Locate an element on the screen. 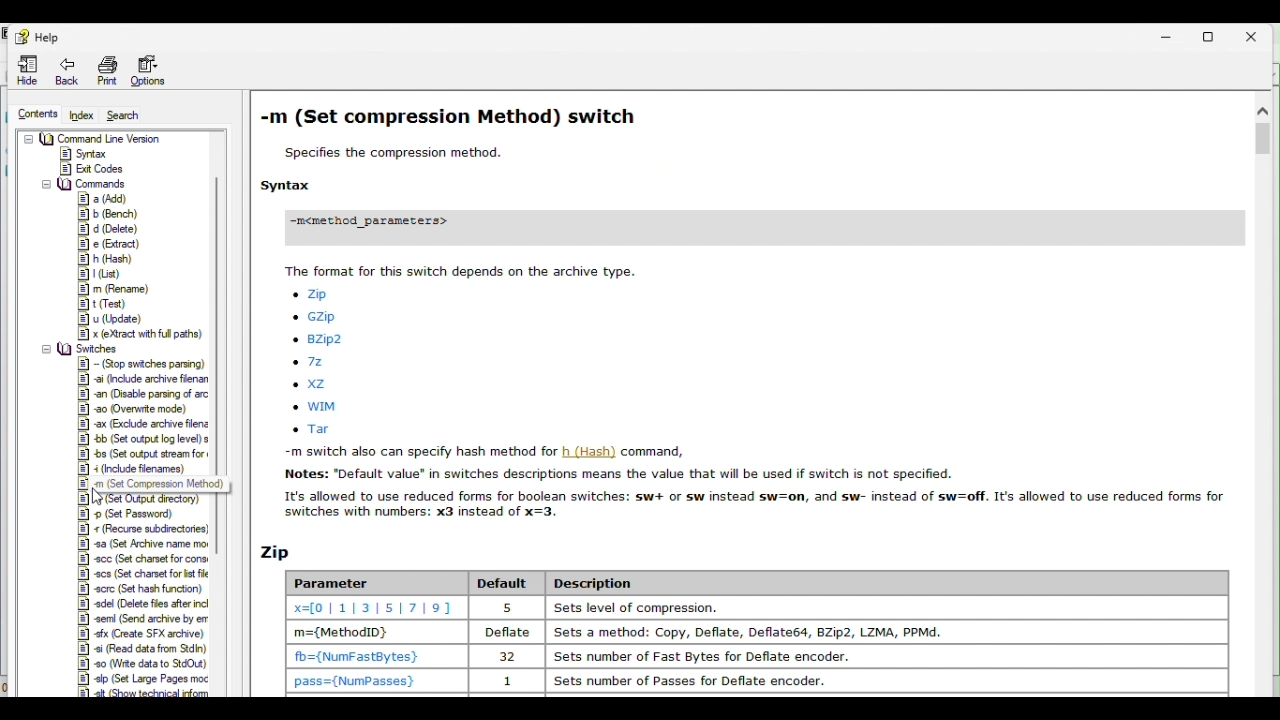 Image resolution: width=1280 pixels, height=720 pixels. zip is located at coordinates (315, 294).